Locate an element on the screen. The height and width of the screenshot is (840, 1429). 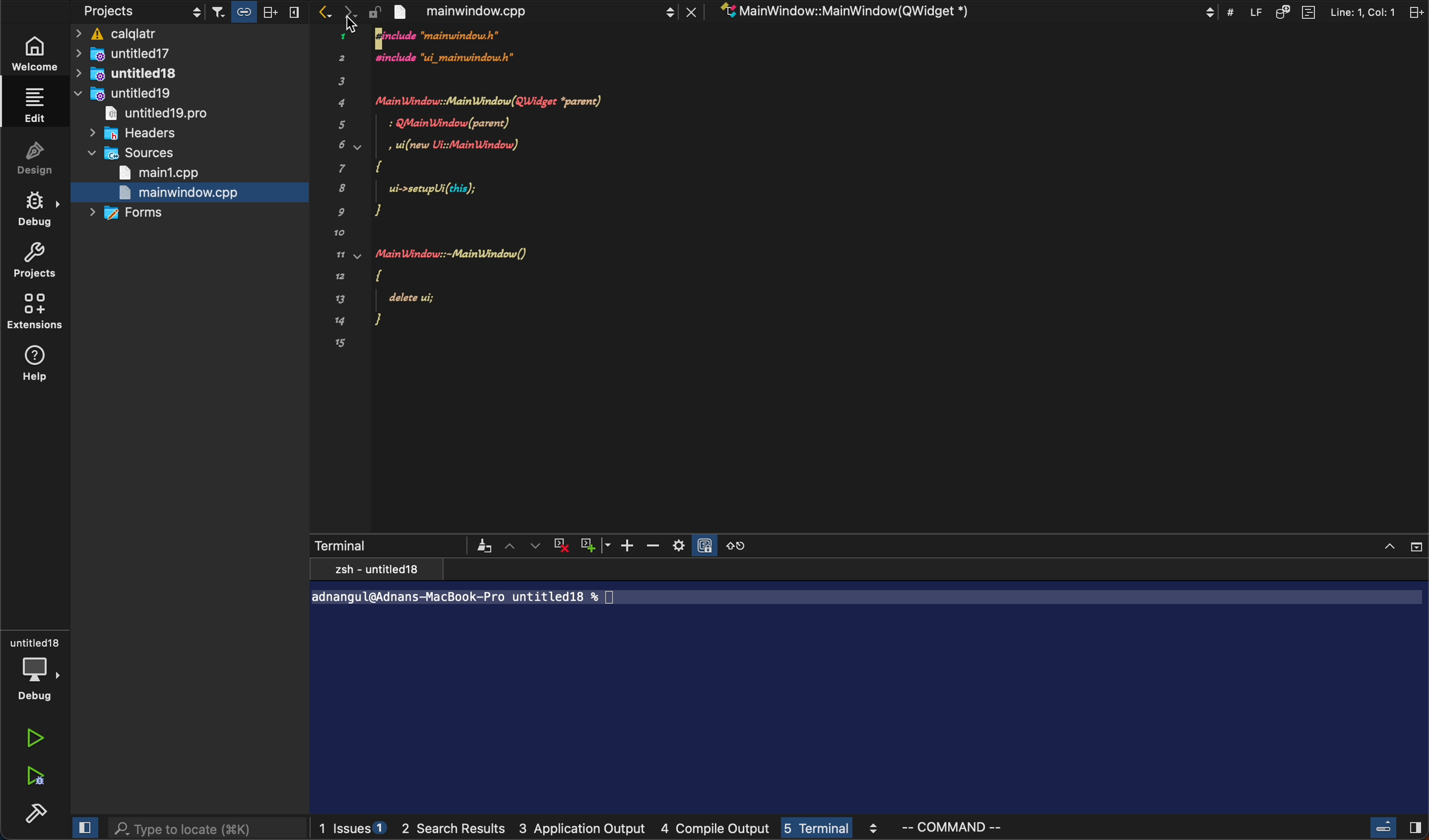
search bar is located at coordinates (205, 829).